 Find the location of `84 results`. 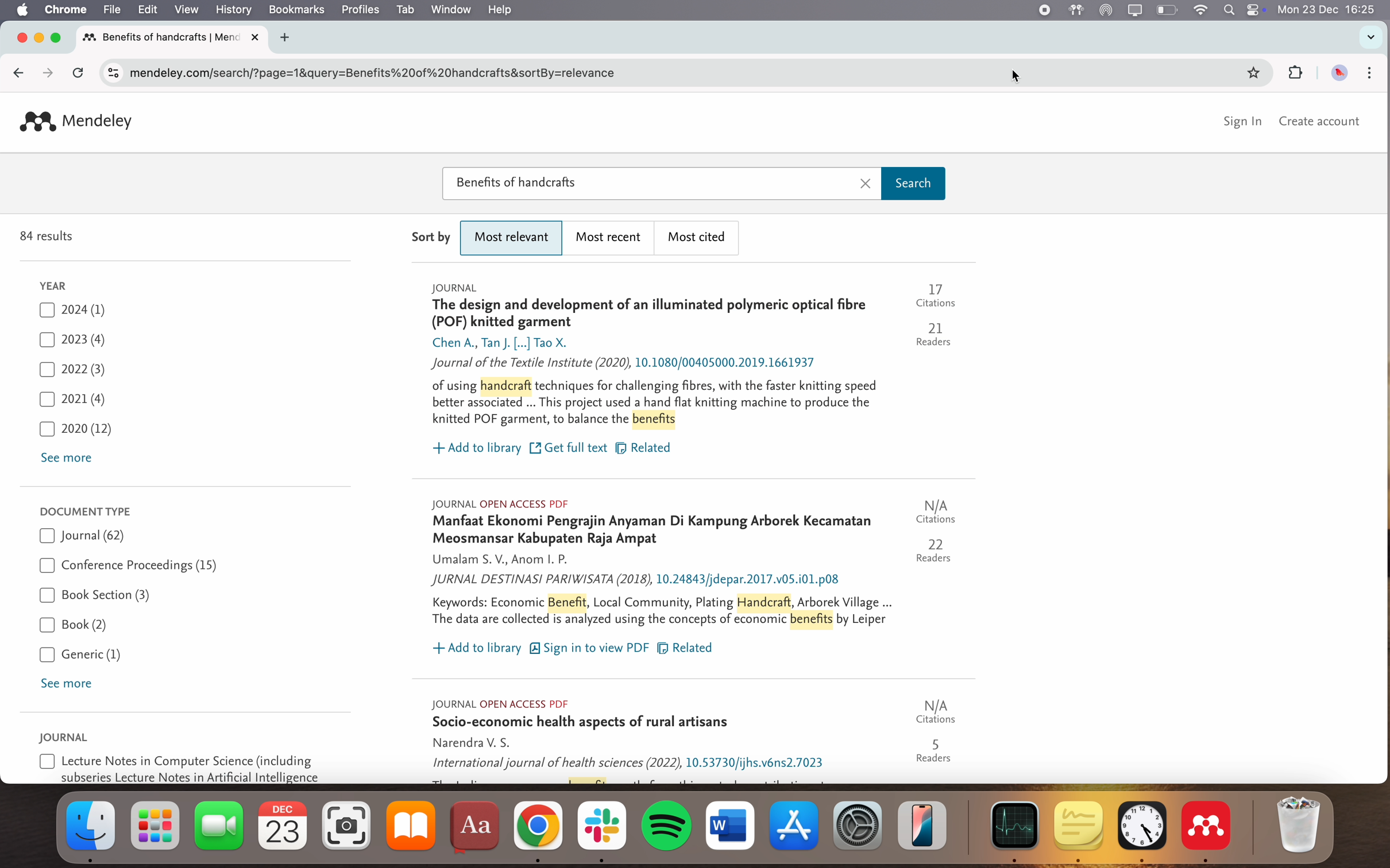

84 results is located at coordinates (49, 238).